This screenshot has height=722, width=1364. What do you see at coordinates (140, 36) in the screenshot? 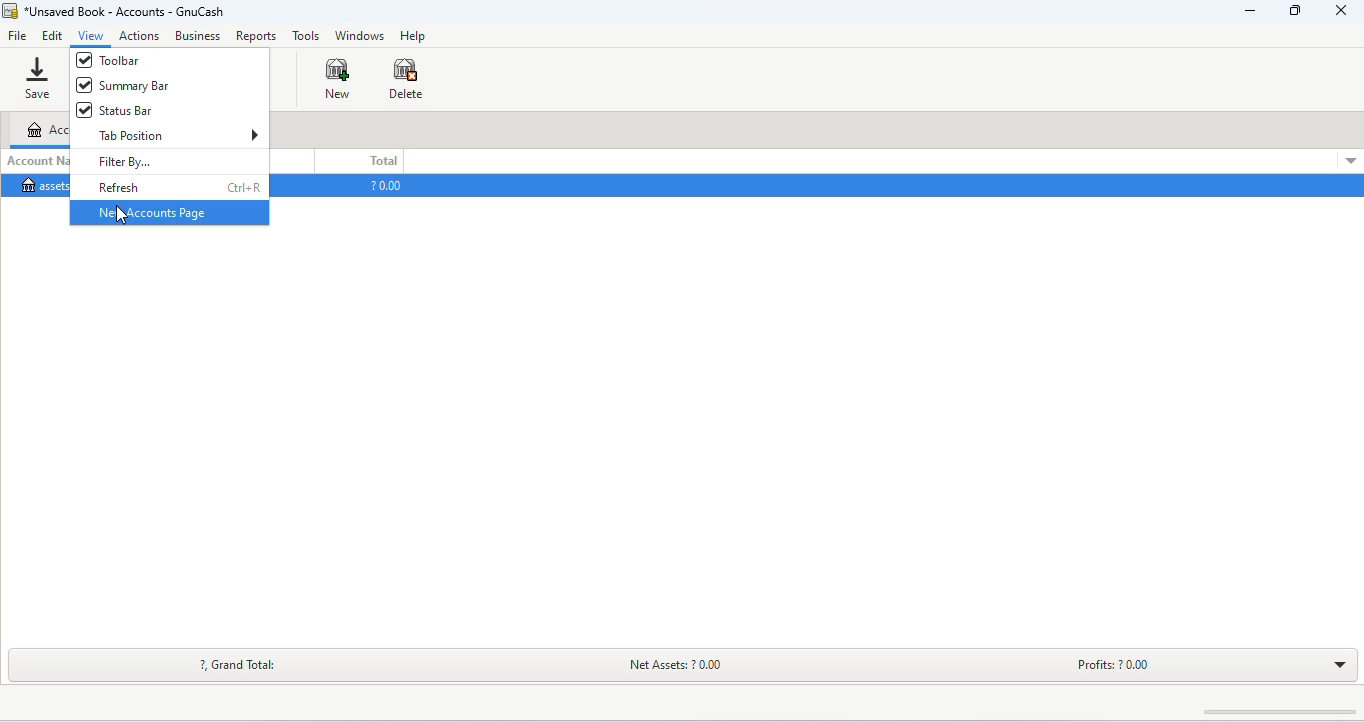
I see `actions` at bounding box center [140, 36].